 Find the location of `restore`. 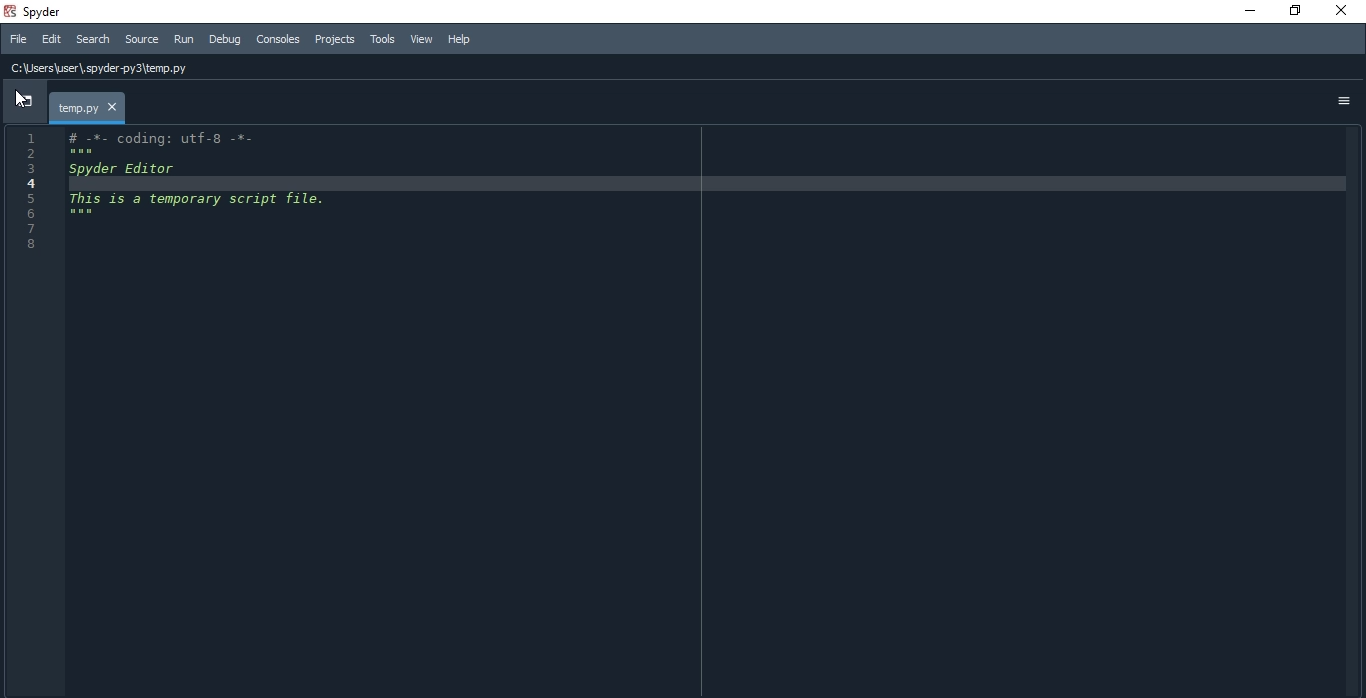

restore is located at coordinates (1294, 15).